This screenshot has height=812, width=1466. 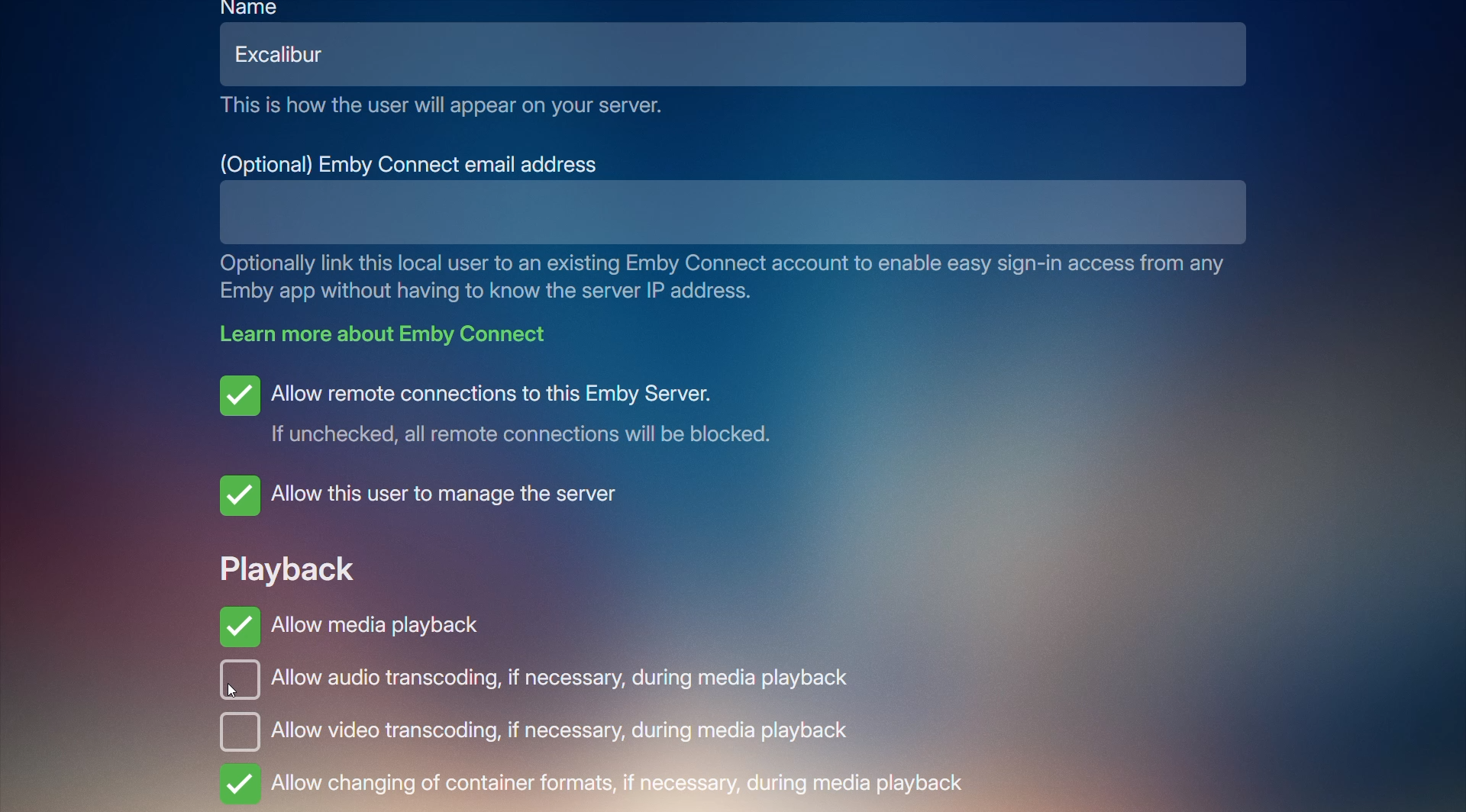 What do you see at coordinates (563, 731) in the screenshot?
I see `lag Allow video transcoding, if necessary, during media playback` at bounding box center [563, 731].